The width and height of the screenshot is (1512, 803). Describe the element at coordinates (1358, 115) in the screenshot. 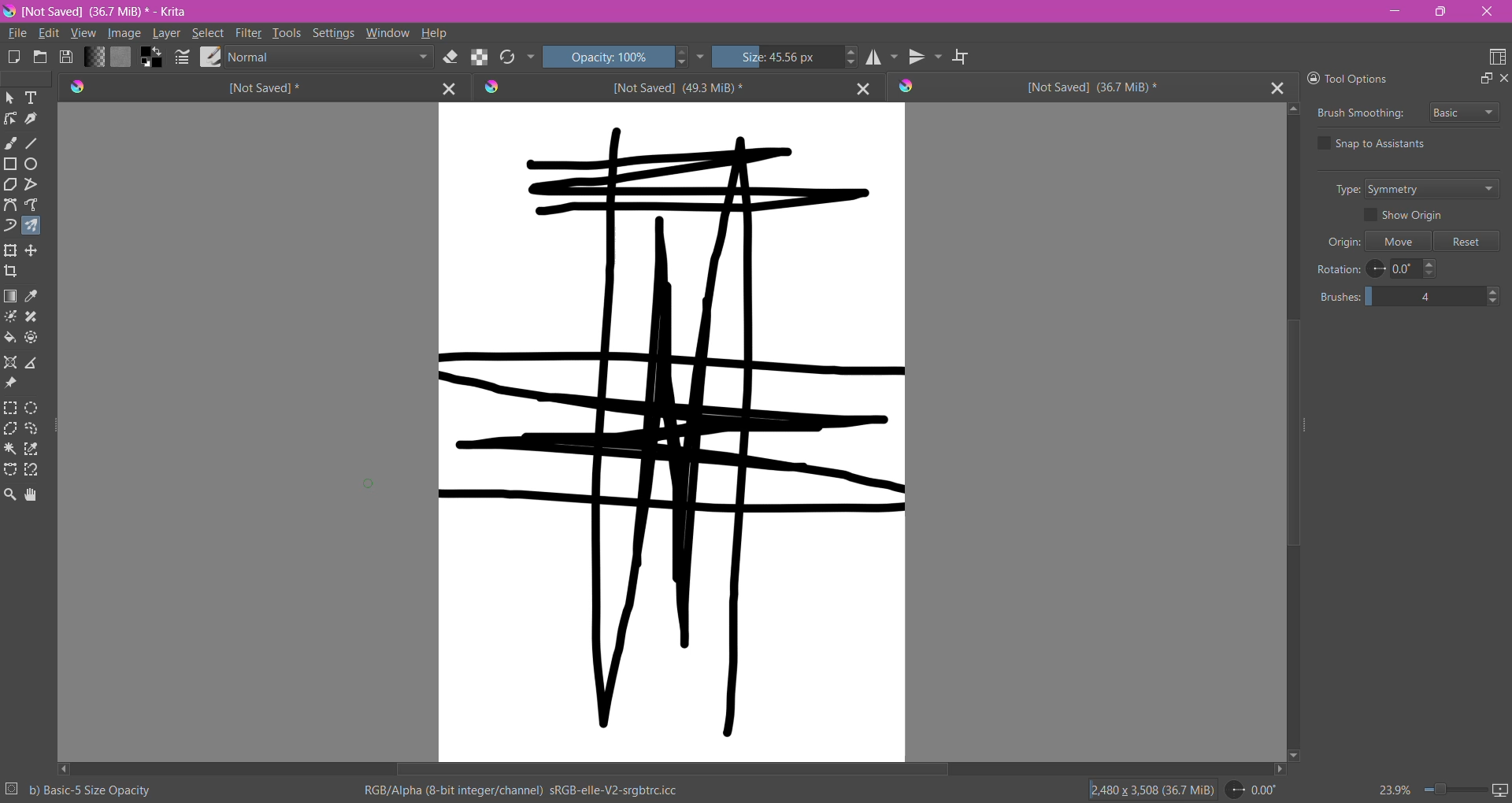

I see `Brush Smoothing` at that location.